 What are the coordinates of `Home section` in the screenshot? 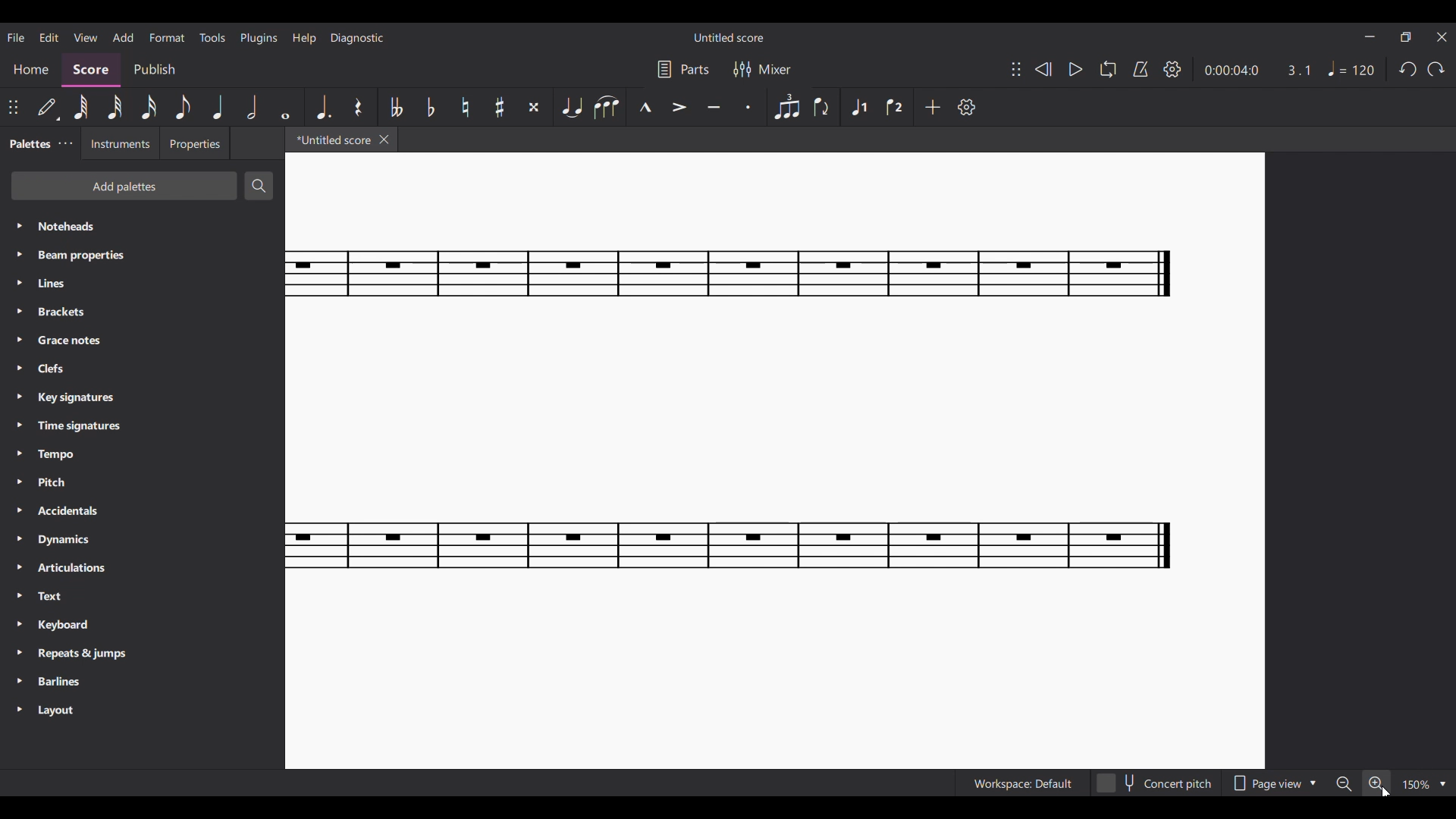 It's located at (31, 70).